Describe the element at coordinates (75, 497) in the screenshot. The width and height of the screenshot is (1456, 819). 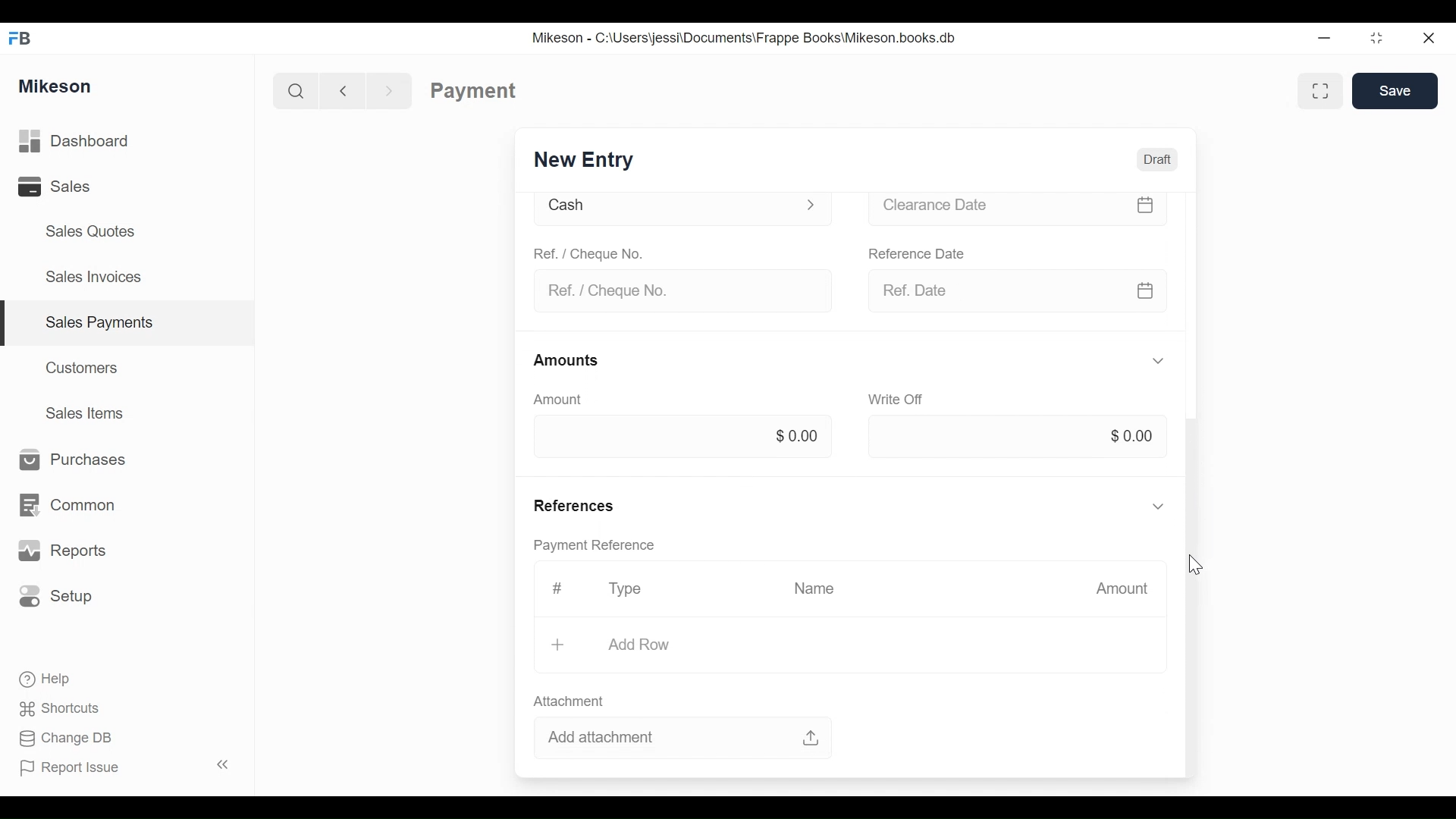
I see `Common` at that location.